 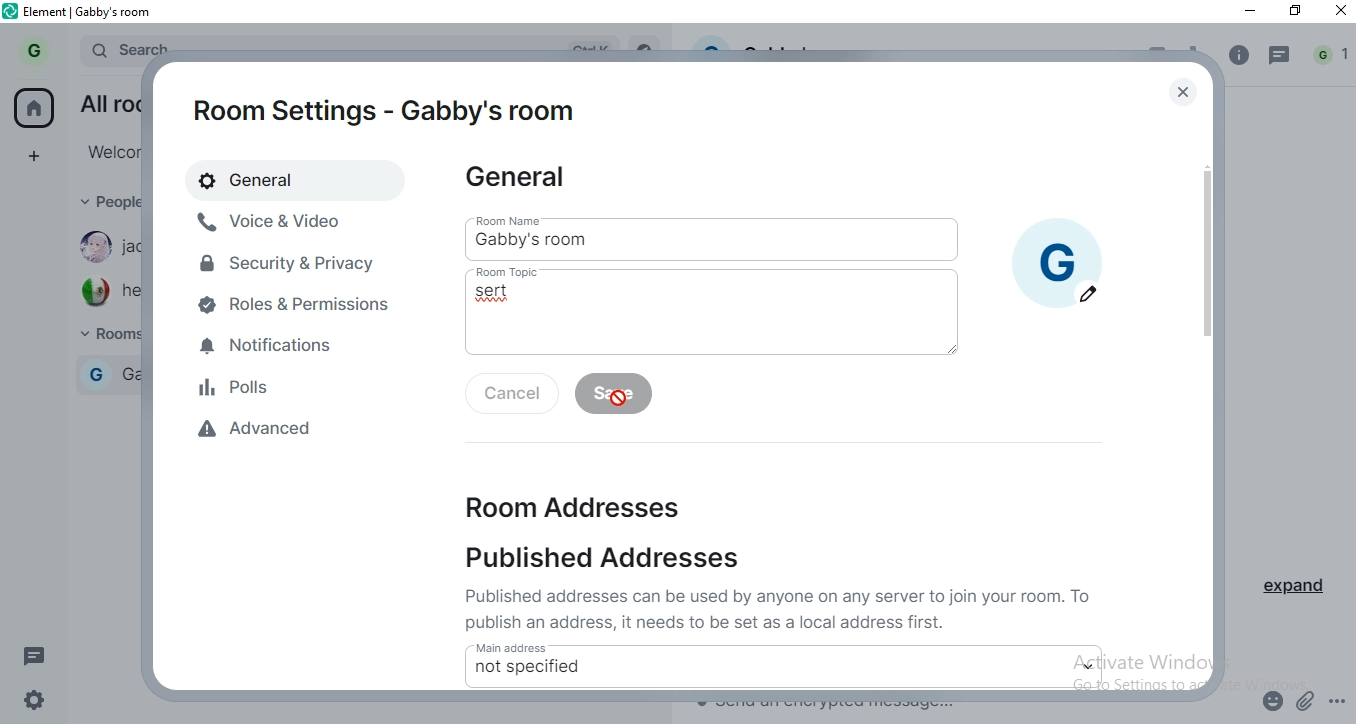 I want to click on attachment, so click(x=1307, y=700).